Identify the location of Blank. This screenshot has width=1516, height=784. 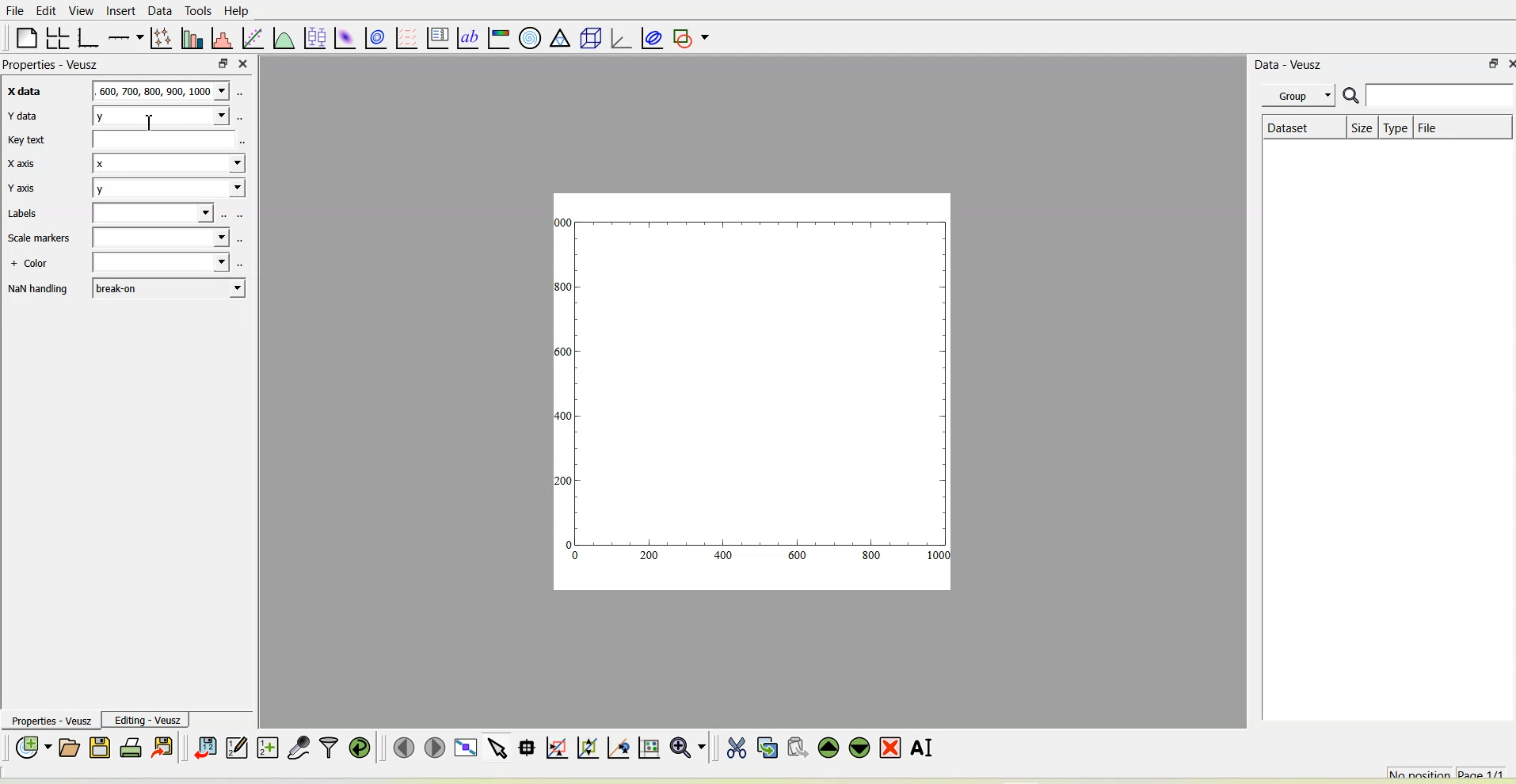
(161, 238).